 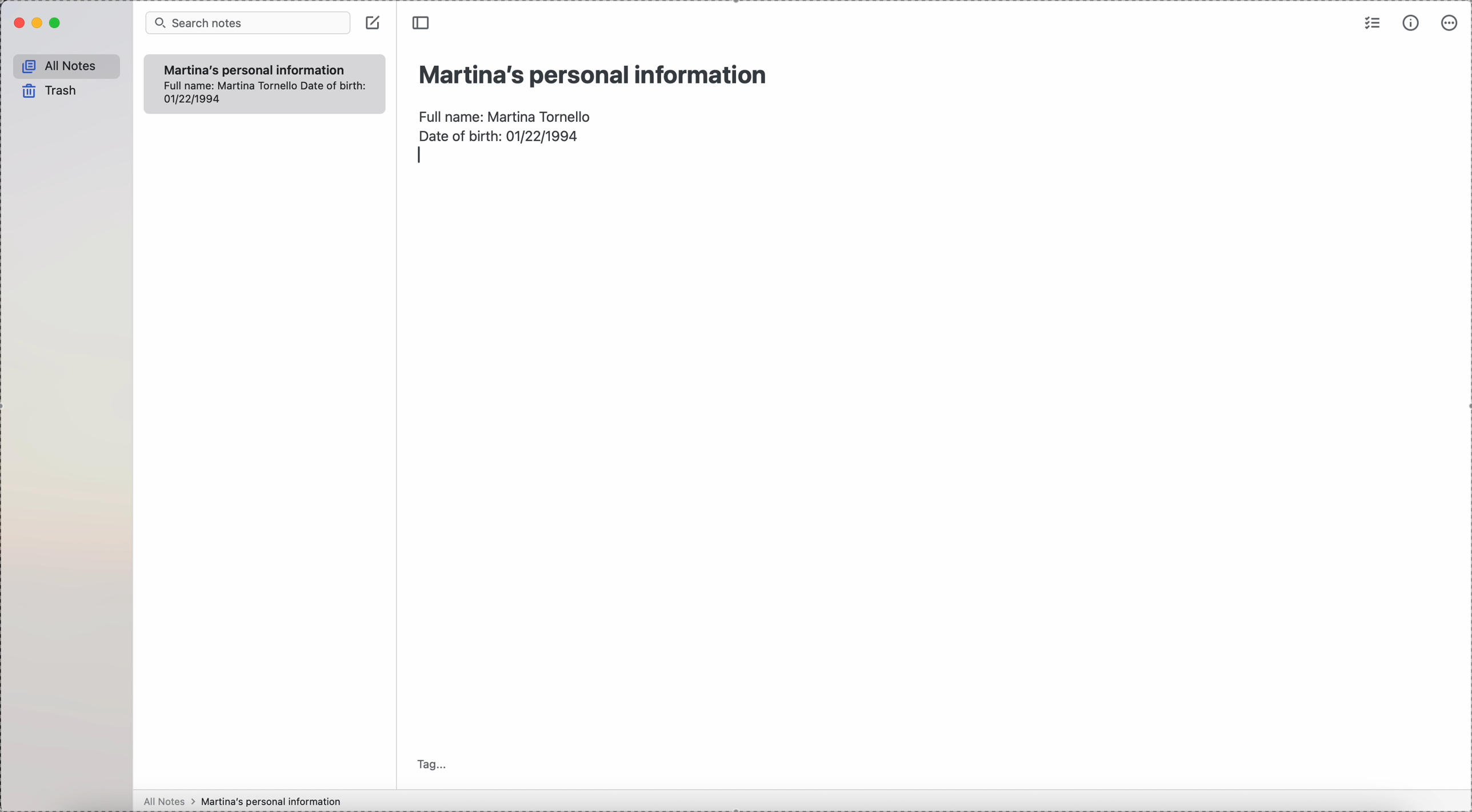 I want to click on close Simplenote, so click(x=18, y=24).